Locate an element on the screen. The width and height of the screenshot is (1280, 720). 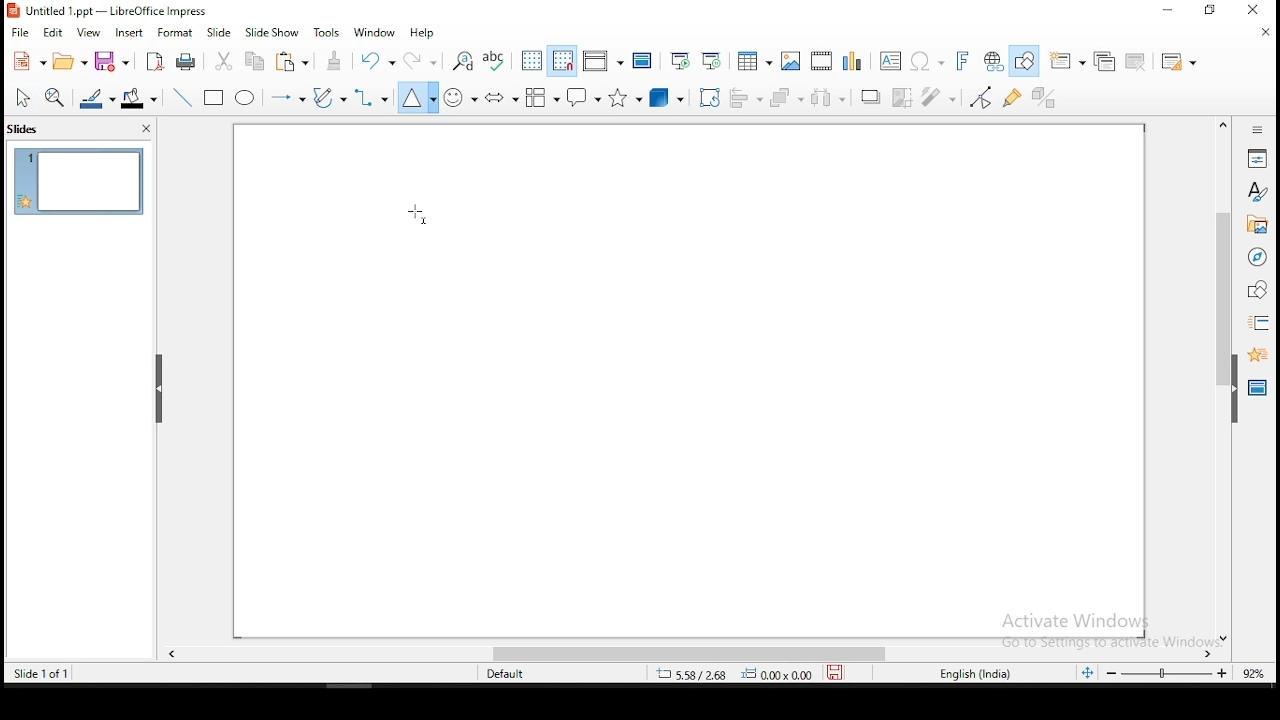
minimize is located at coordinates (1164, 12).